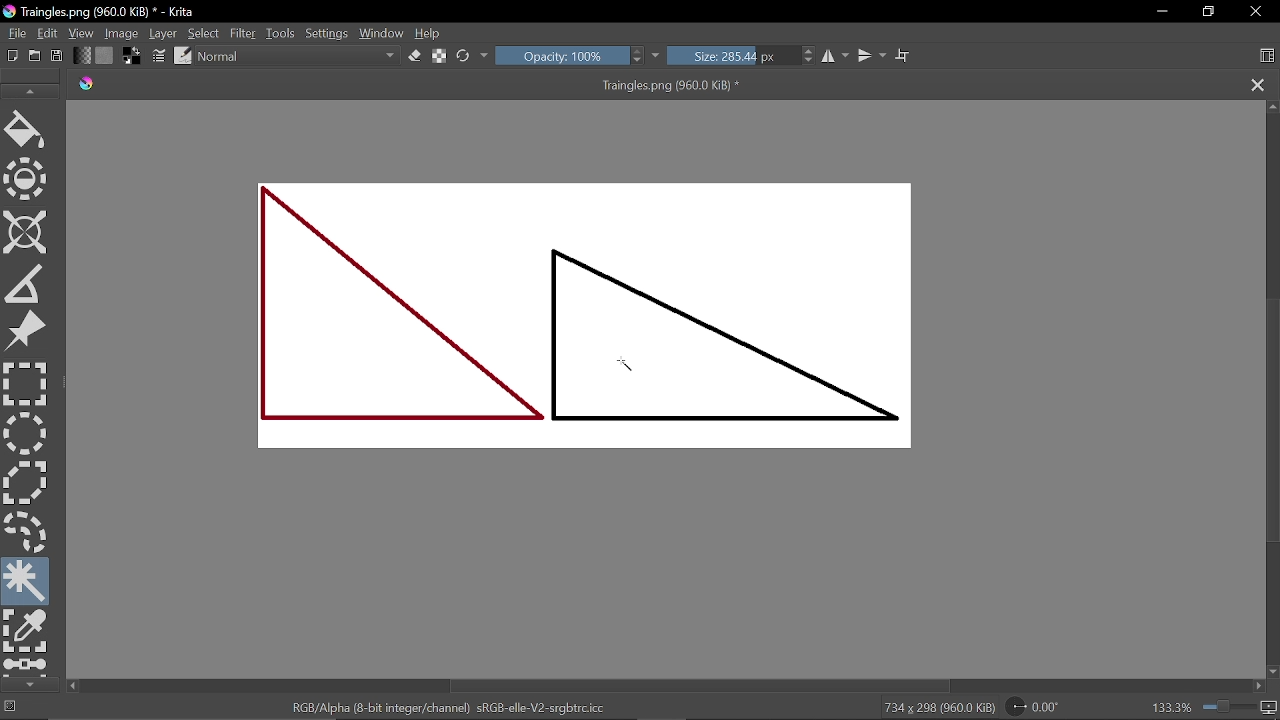  I want to click on scroll up, so click(28, 90).